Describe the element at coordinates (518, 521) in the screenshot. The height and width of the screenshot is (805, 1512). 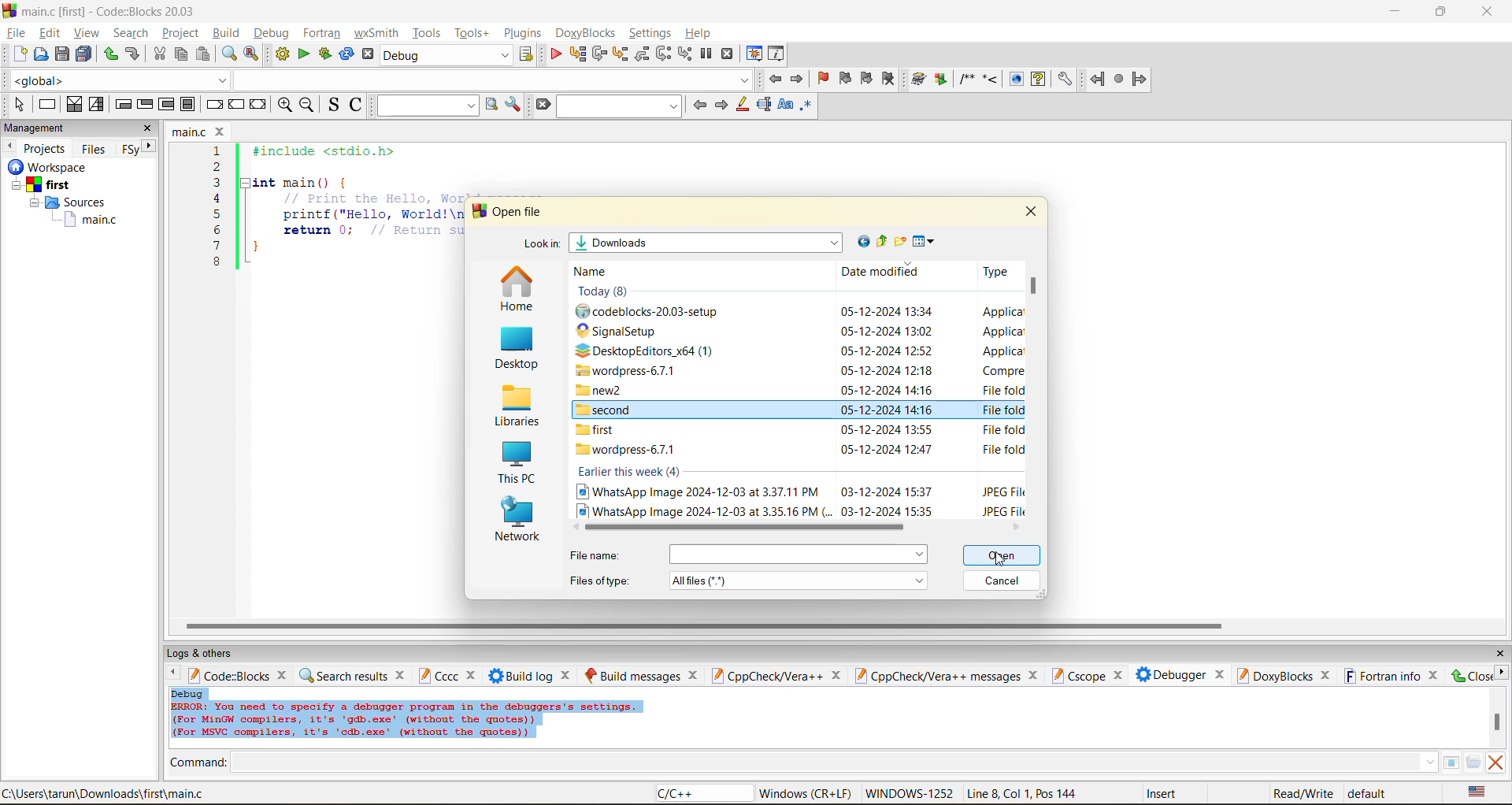
I see `network` at that location.